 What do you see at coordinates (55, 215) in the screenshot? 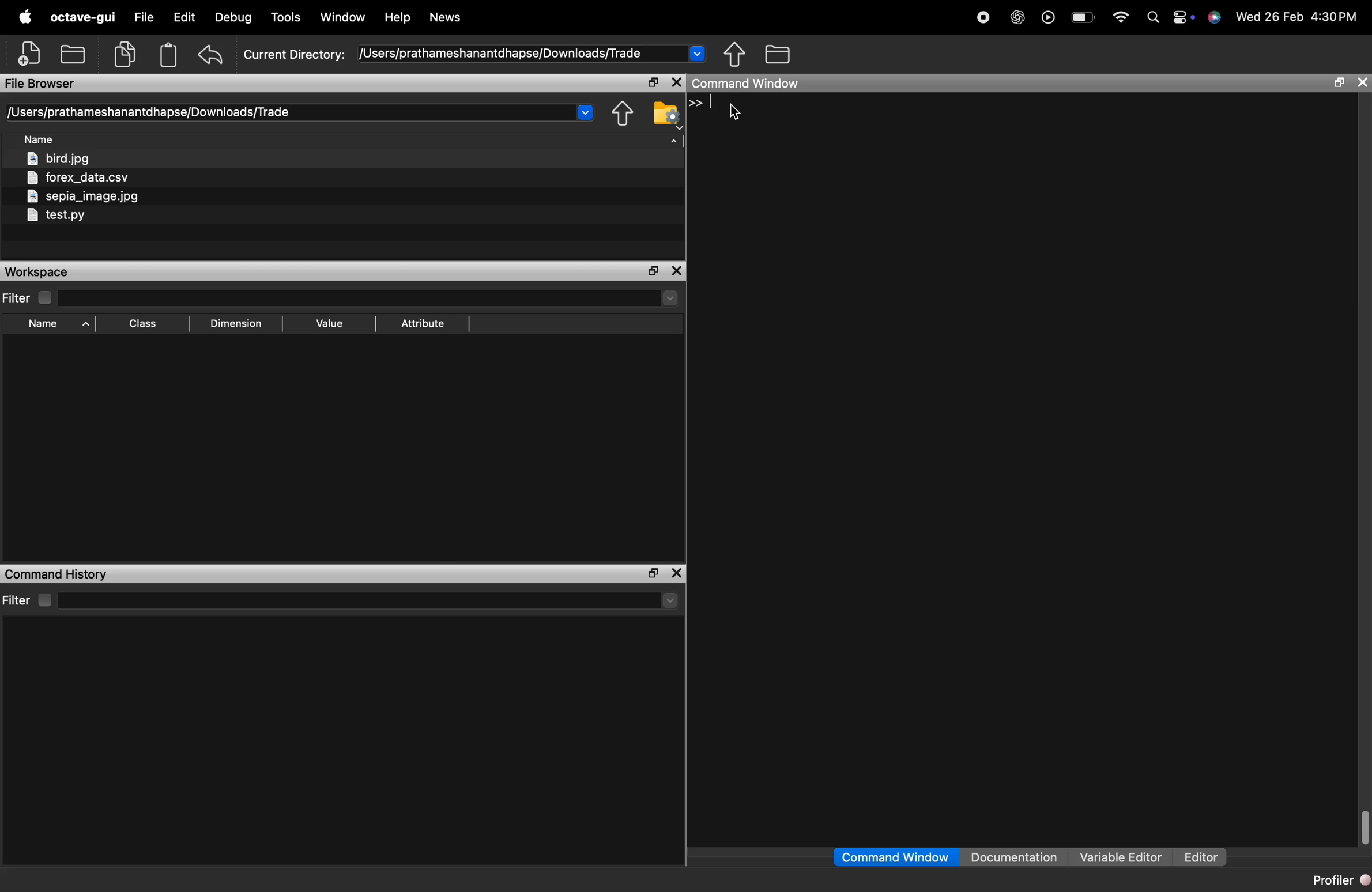
I see ` testpy` at bounding box center [55, 215].